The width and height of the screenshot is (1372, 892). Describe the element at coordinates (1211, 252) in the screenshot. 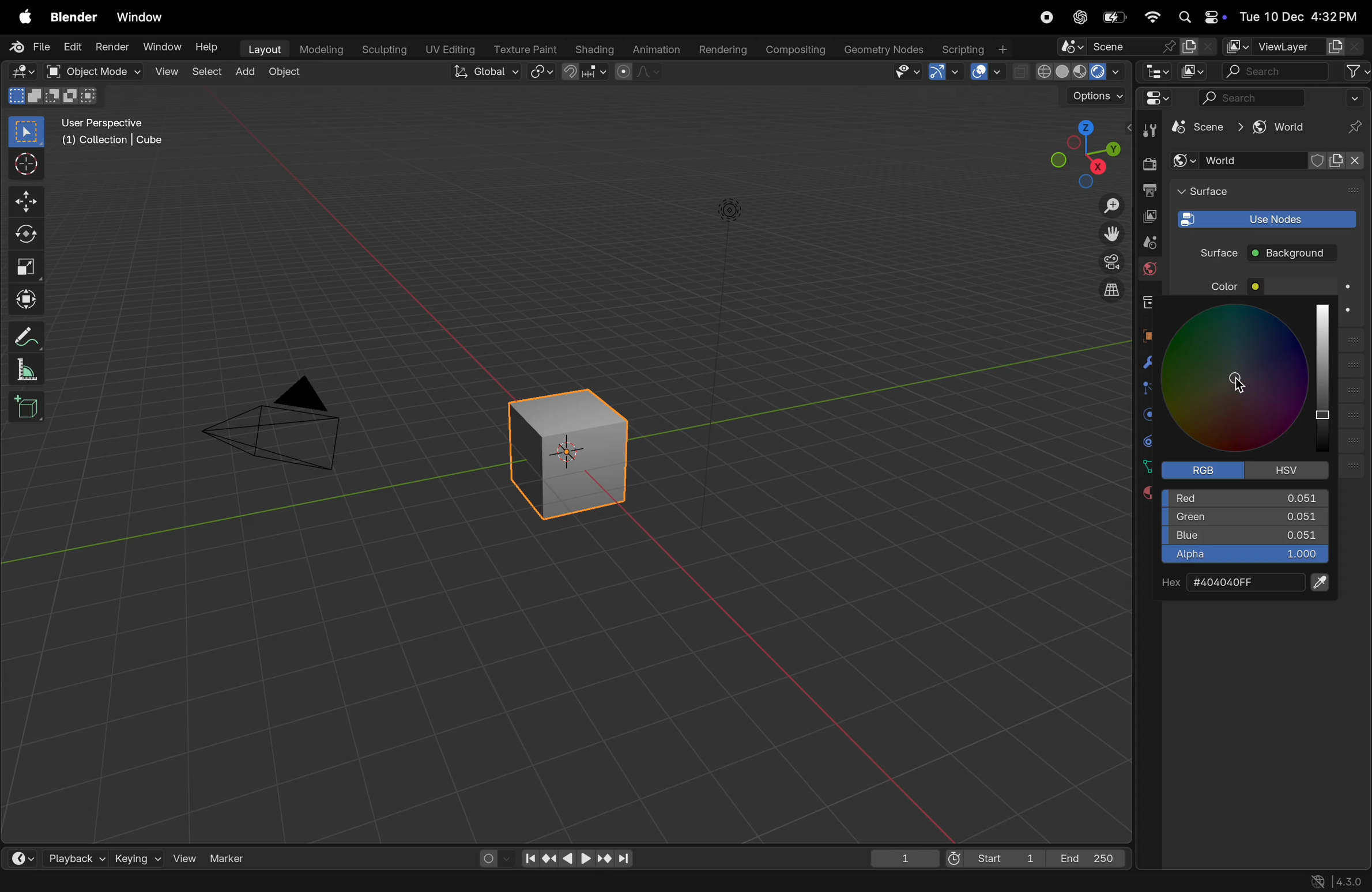

I see `Surface` at that location.